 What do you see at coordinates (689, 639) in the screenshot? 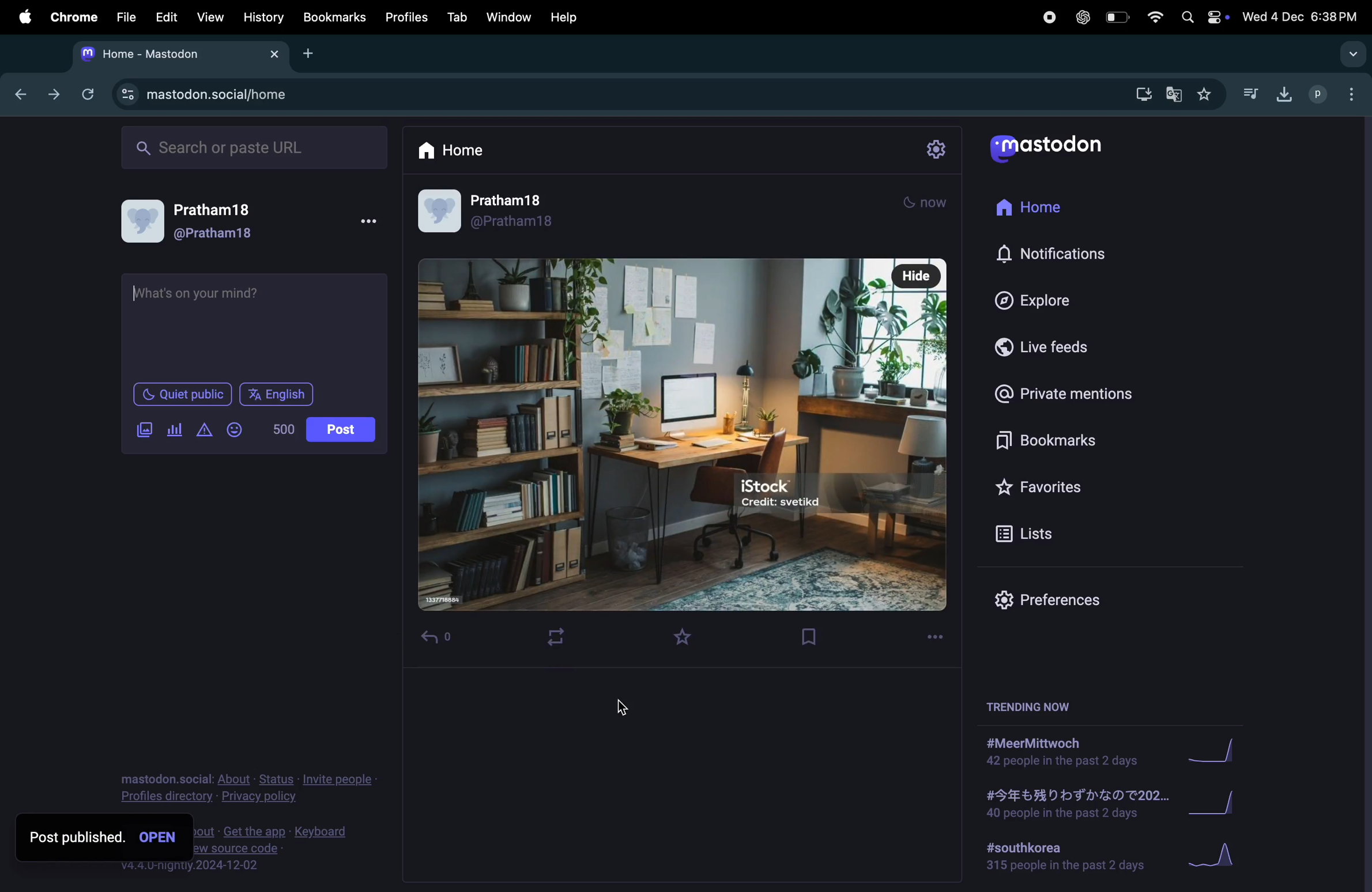
I see `favourties` at bounding box center [689, 639].